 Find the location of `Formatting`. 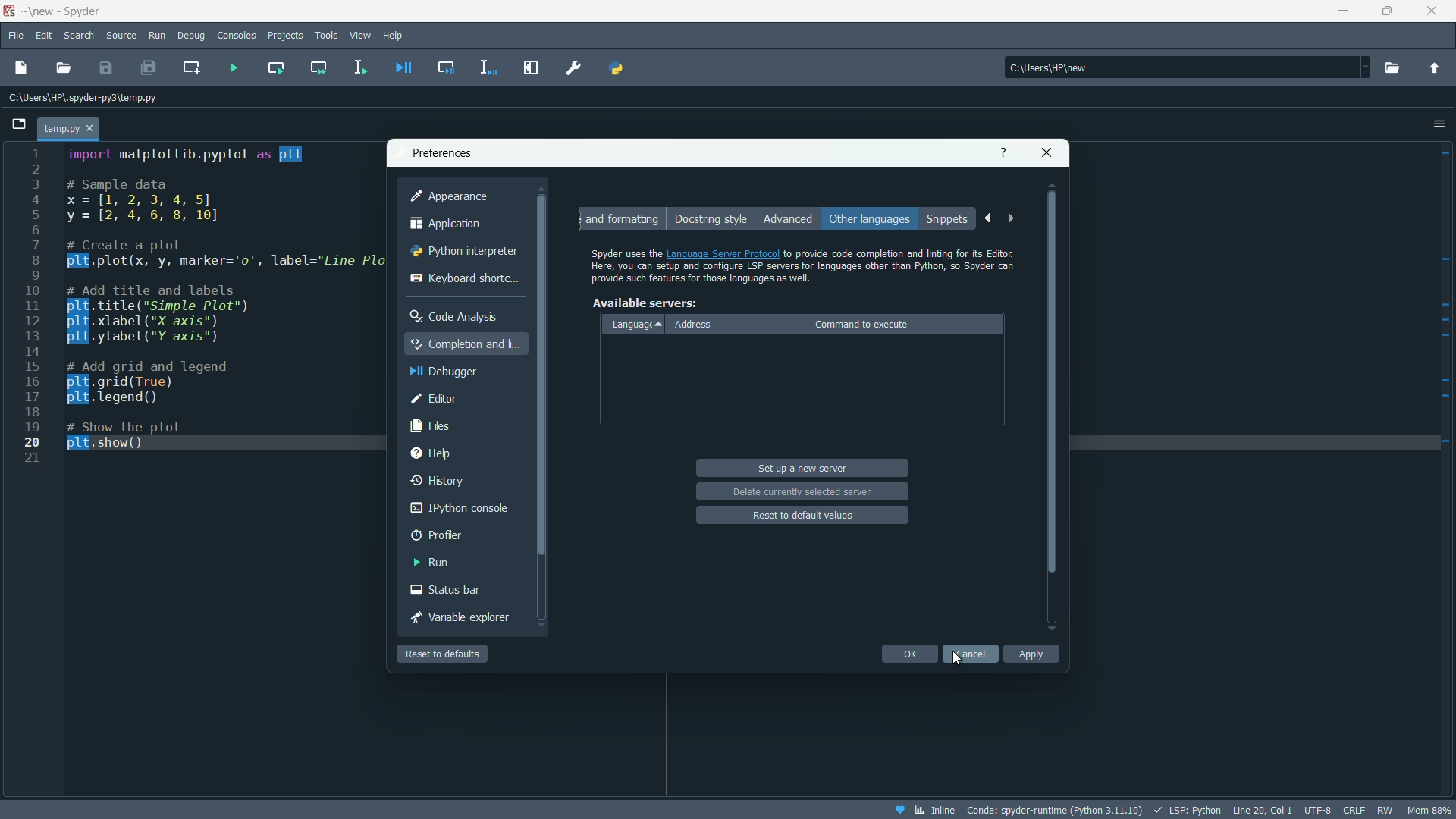

Formatting is located at coordinates (621, 219).